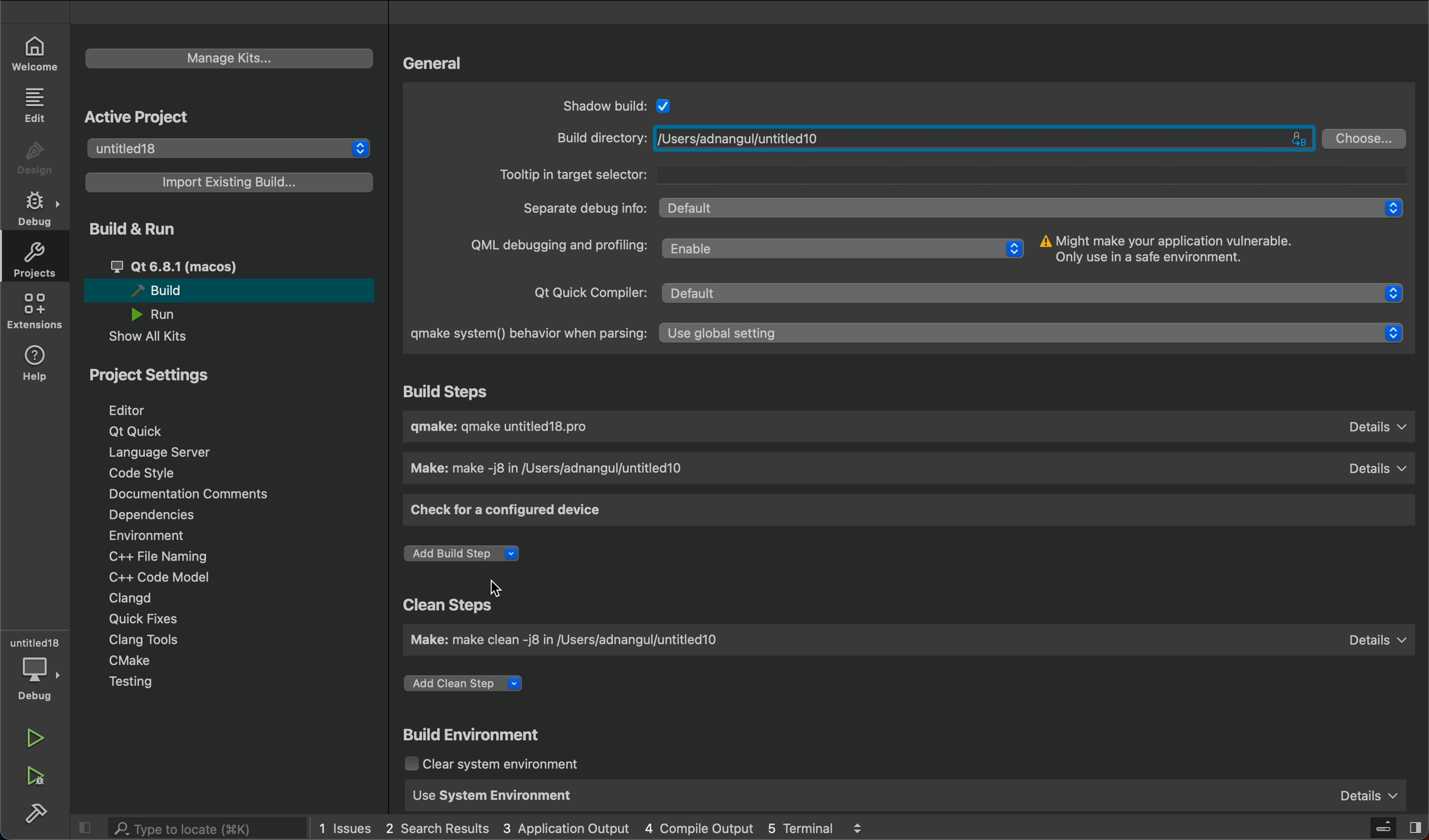 The height and width of the screenshot is (840, 1429). What do you see at coordinates (581, 208) in the screenshot?
I see `Separate debug info:` at bounding box center [581, 208].